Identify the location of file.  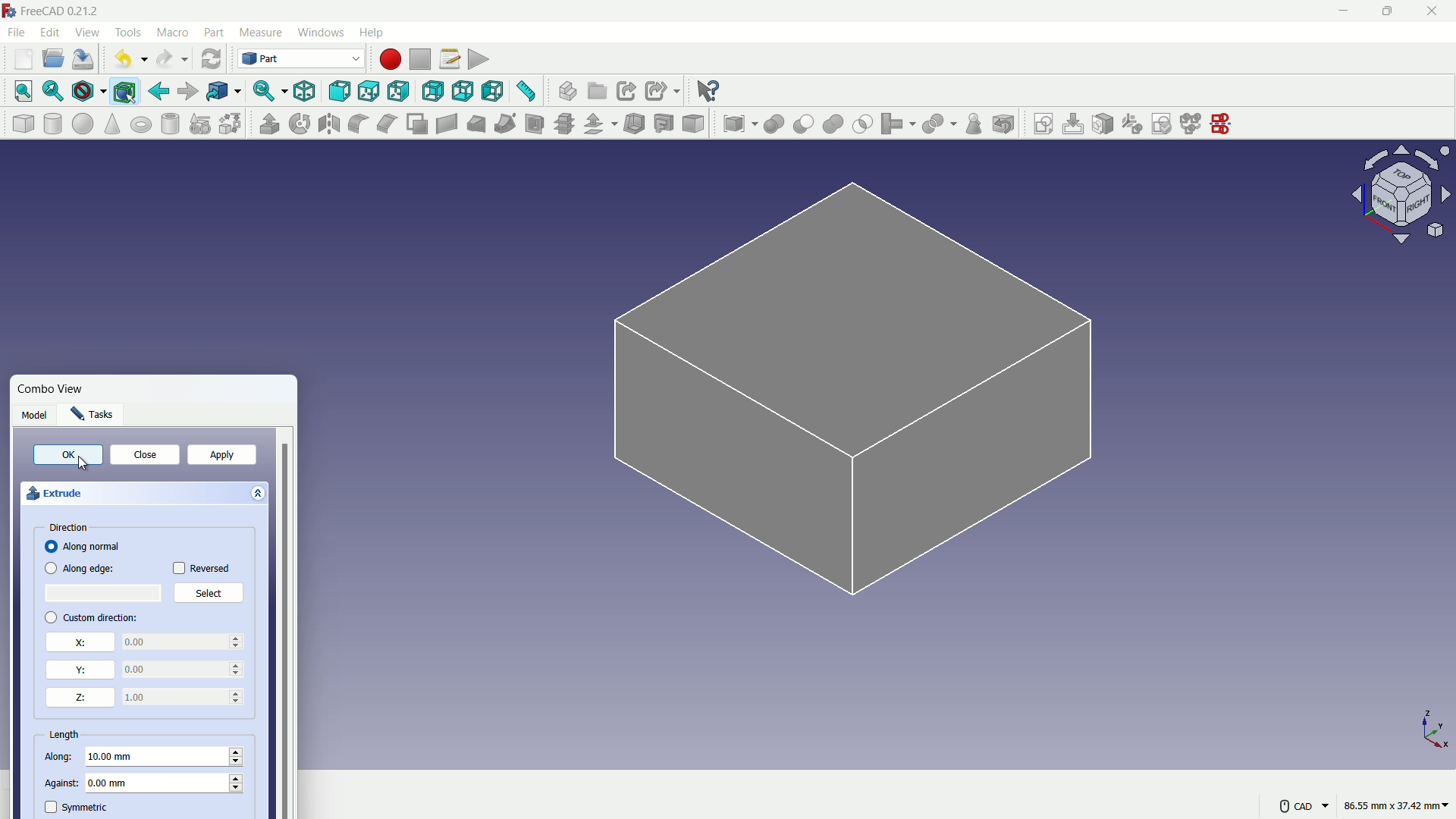
(17, 33).